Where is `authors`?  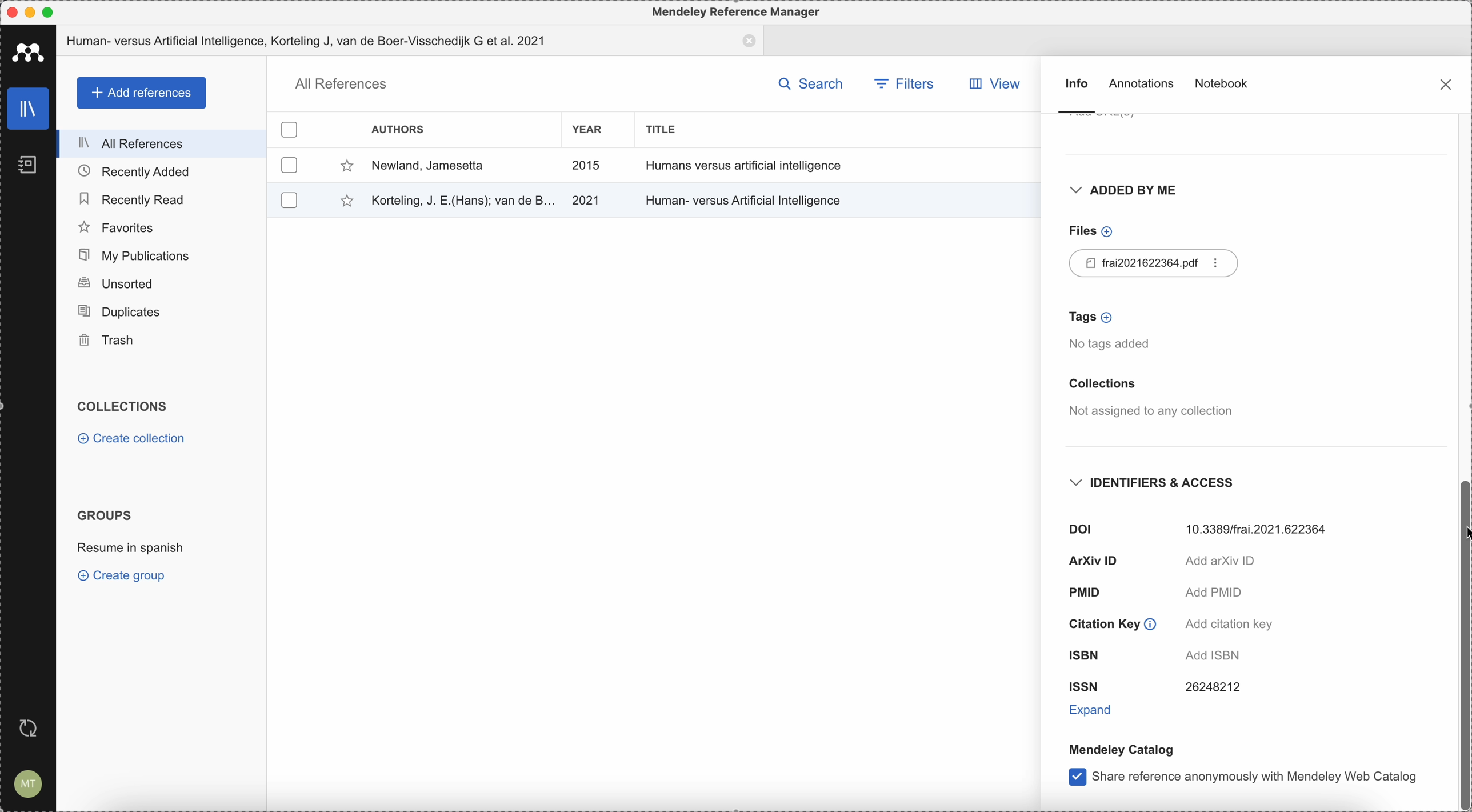 authors is located at coordinates (399, 129).